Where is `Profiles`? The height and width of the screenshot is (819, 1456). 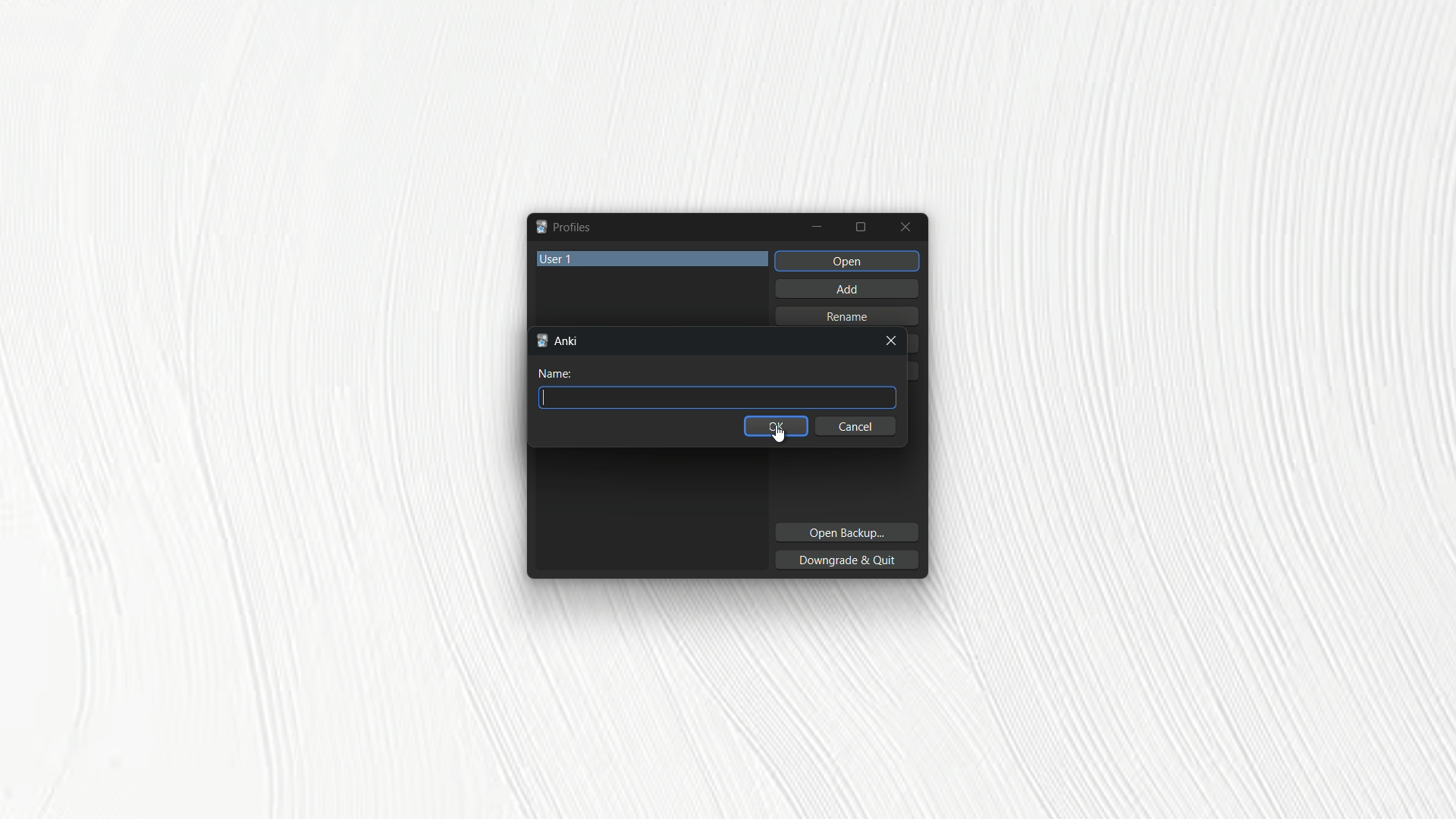
Profiles is located at coordinates (563, 227).